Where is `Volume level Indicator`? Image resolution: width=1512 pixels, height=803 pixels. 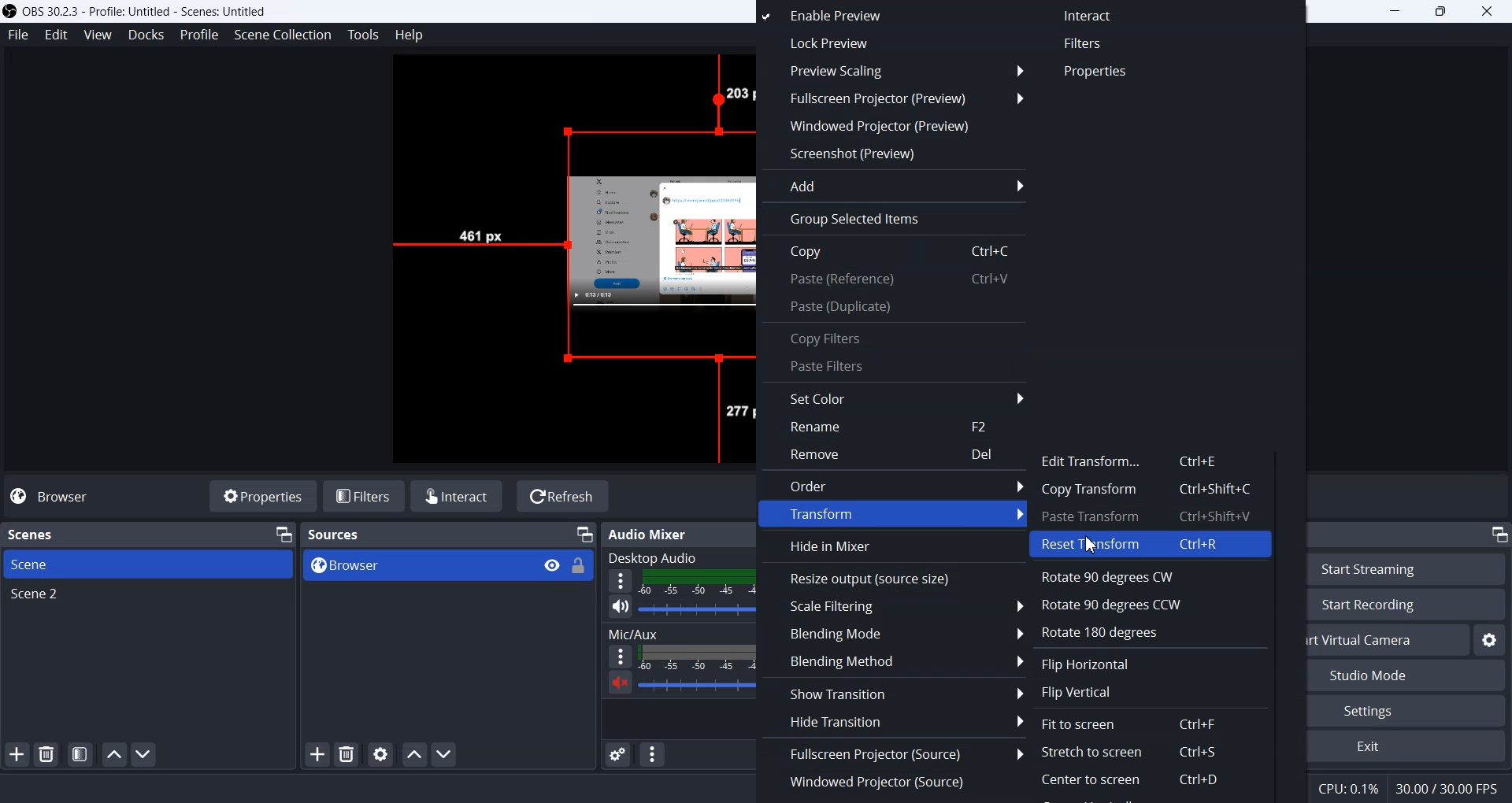 Volume level Indicator is located at coordinates (698, 583).